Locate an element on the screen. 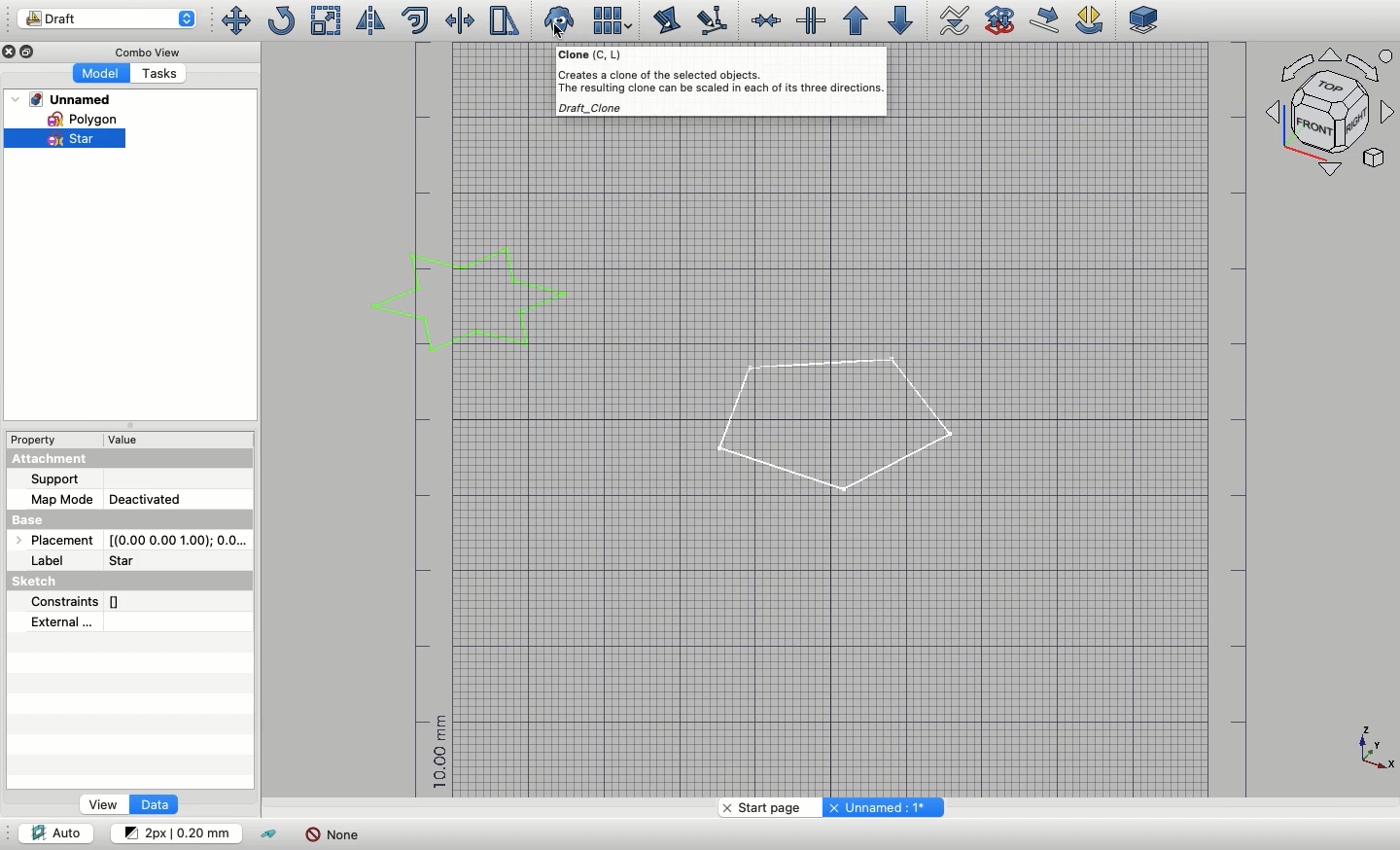 Image resolution: width=1400 pixels, height=850 pixels. None is located at coordinates (332, 834).